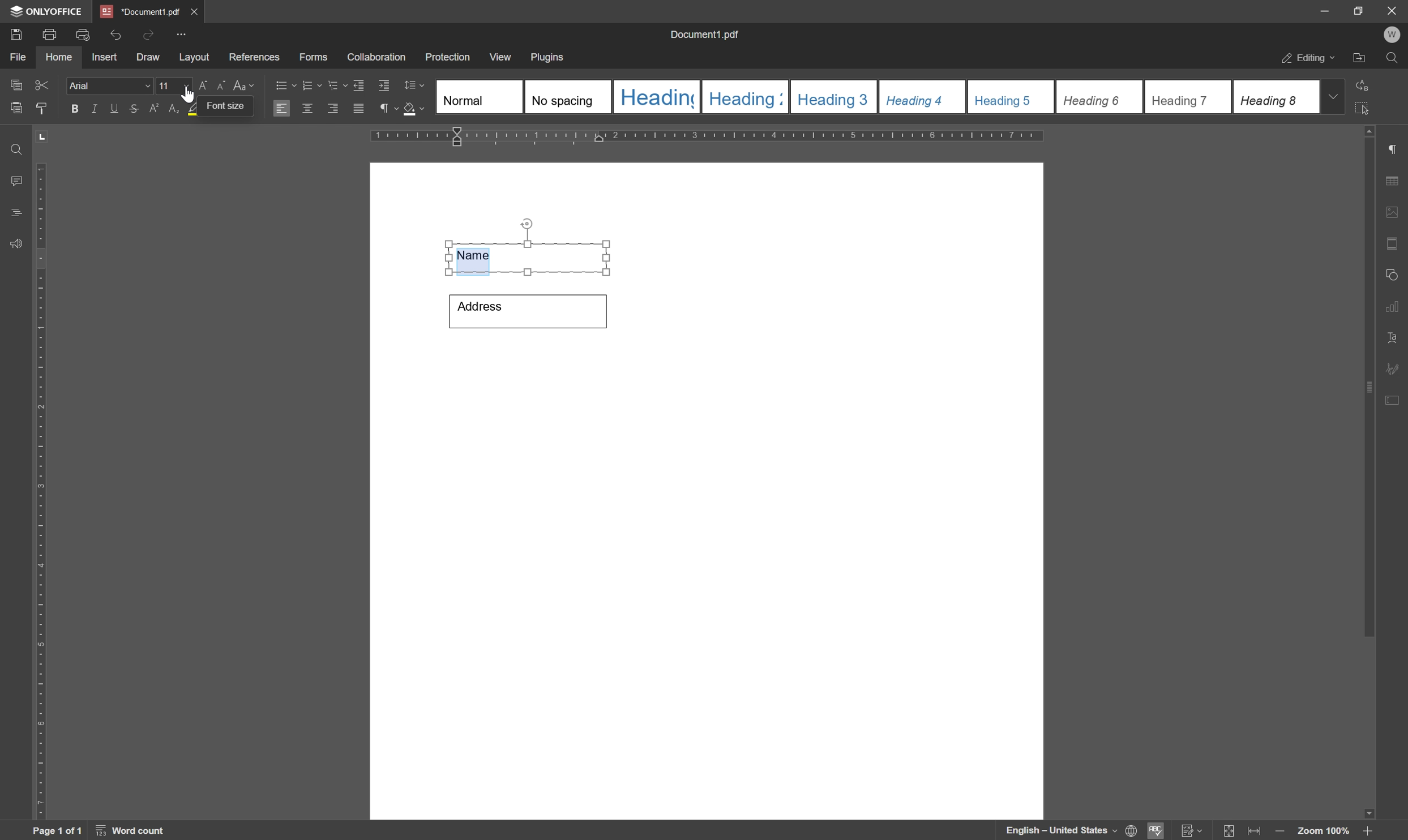 The image size is (1408, 840). Describe the element at coordinates (1354, 10) in the screenshot. I see `restore down` at that location.